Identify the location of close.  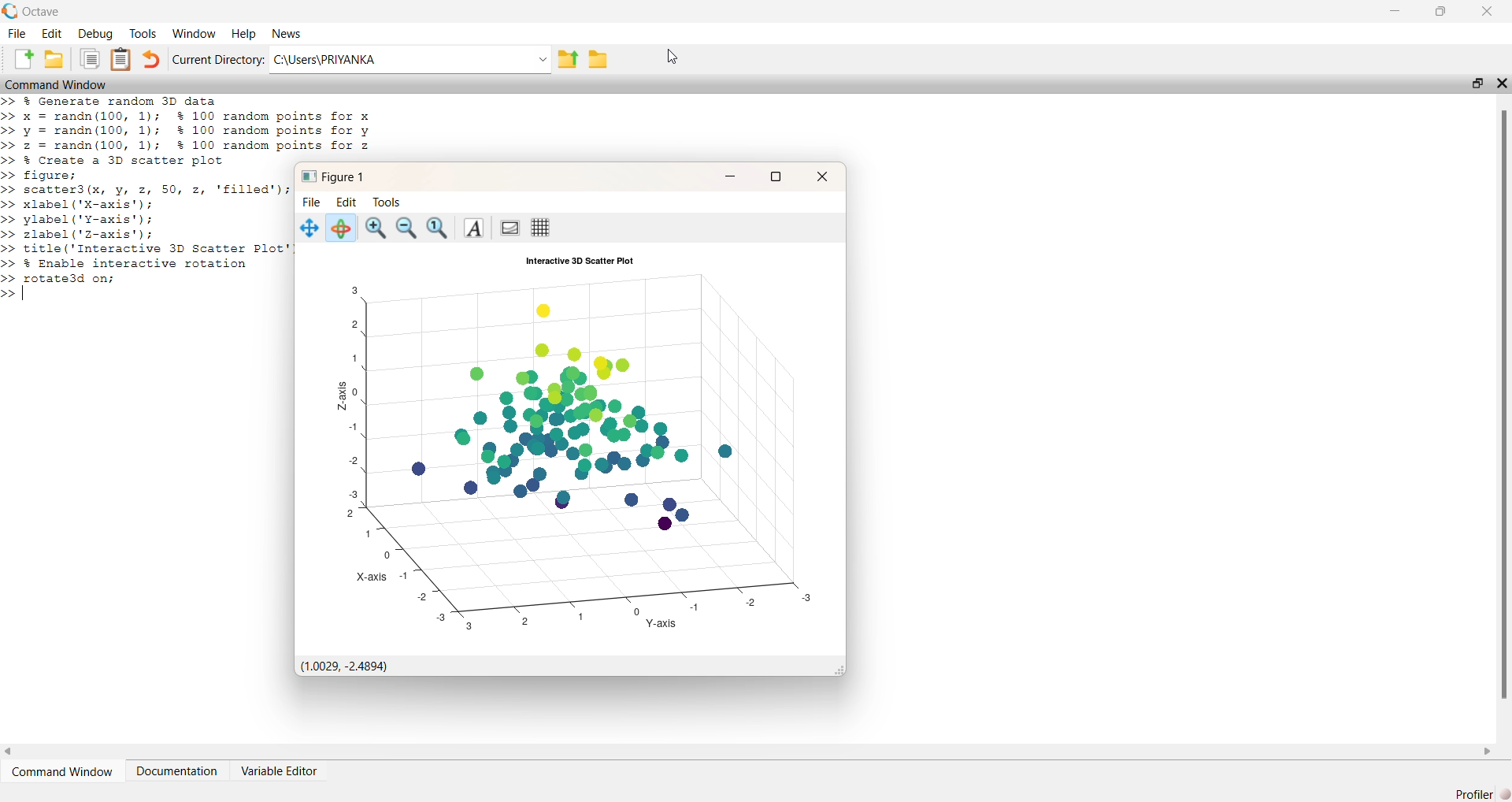
(1502, 83).